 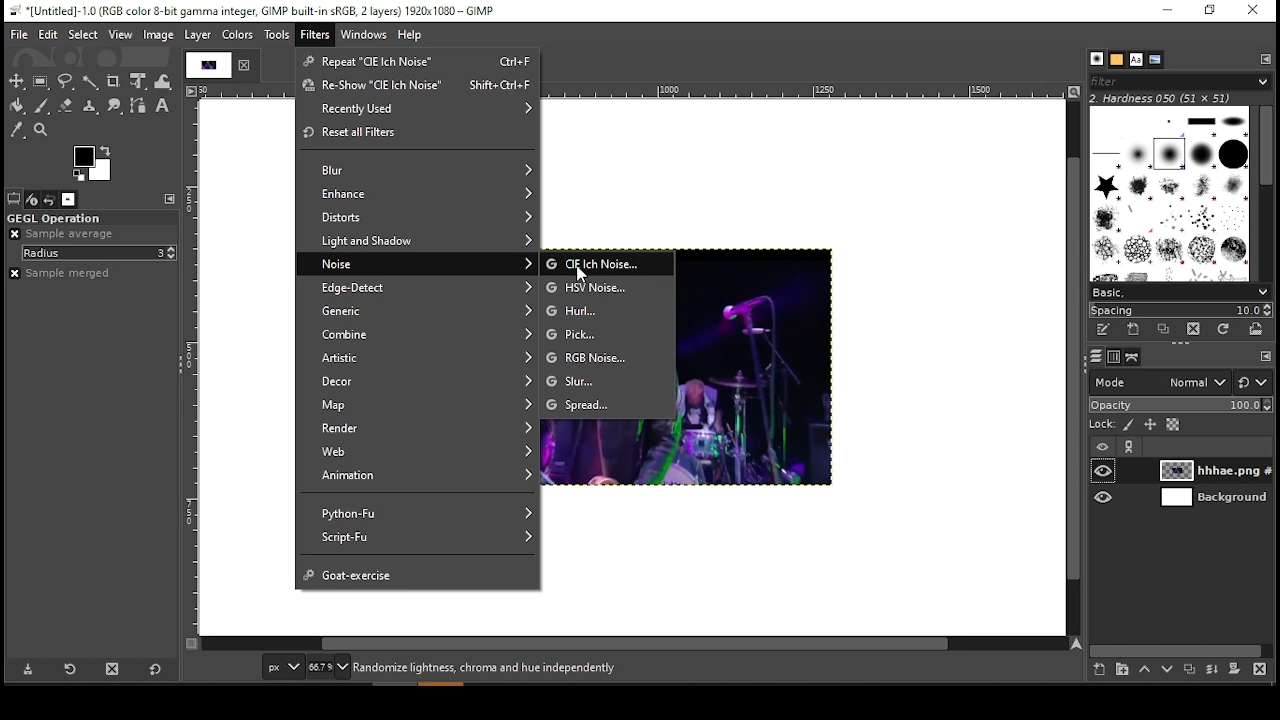 I want to click on configure this tab, so click(x=1264, y=356).